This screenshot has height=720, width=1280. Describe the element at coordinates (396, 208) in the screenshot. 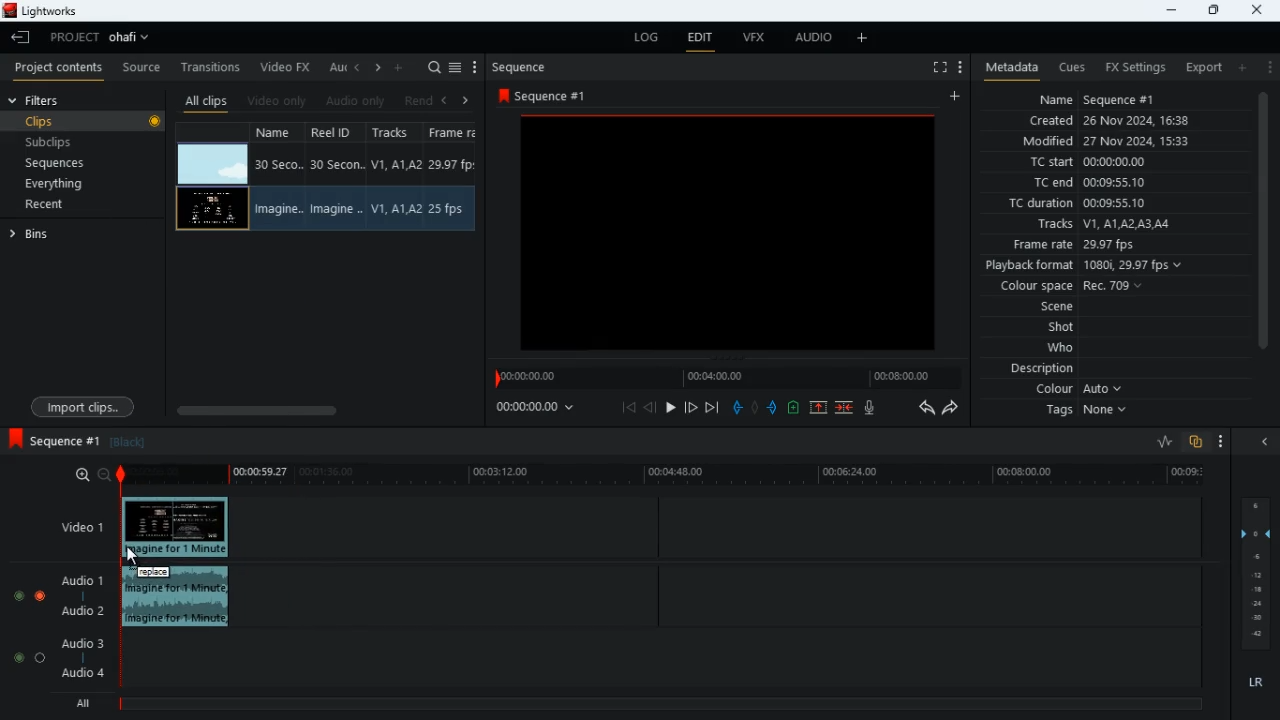

I see `Track` at that location.